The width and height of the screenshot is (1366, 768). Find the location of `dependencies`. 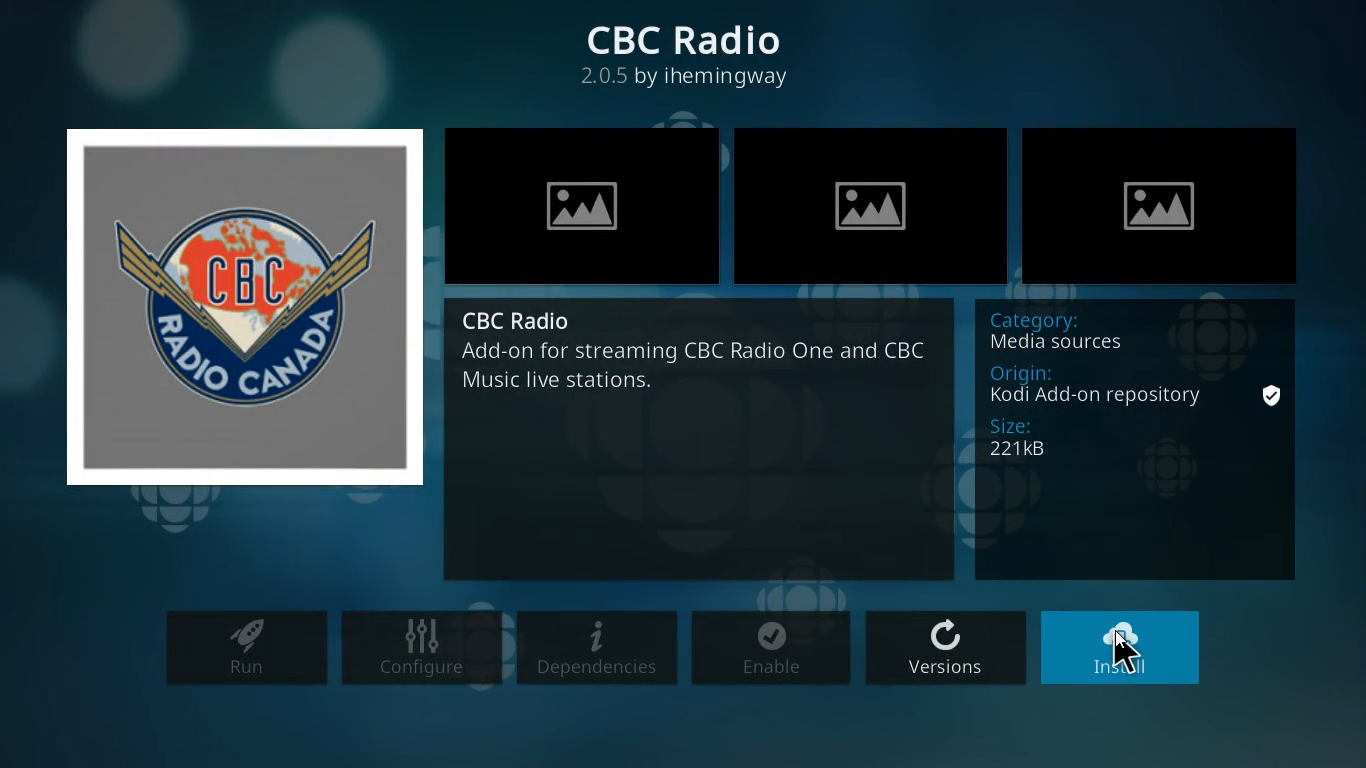

dependencies is located at coordinates (596, 651).